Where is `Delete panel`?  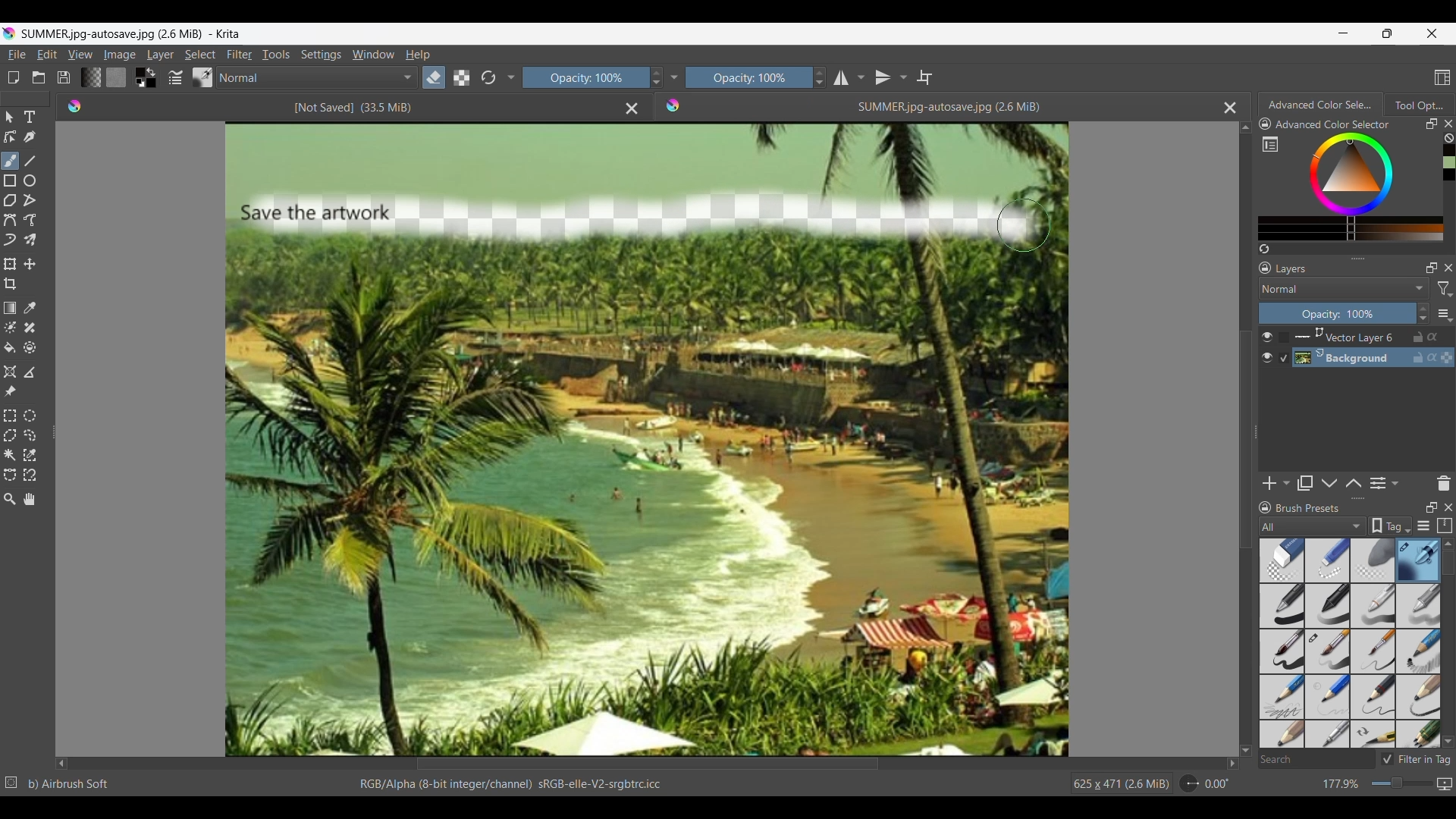 Delete panel is located at coordinates (1443, 483).